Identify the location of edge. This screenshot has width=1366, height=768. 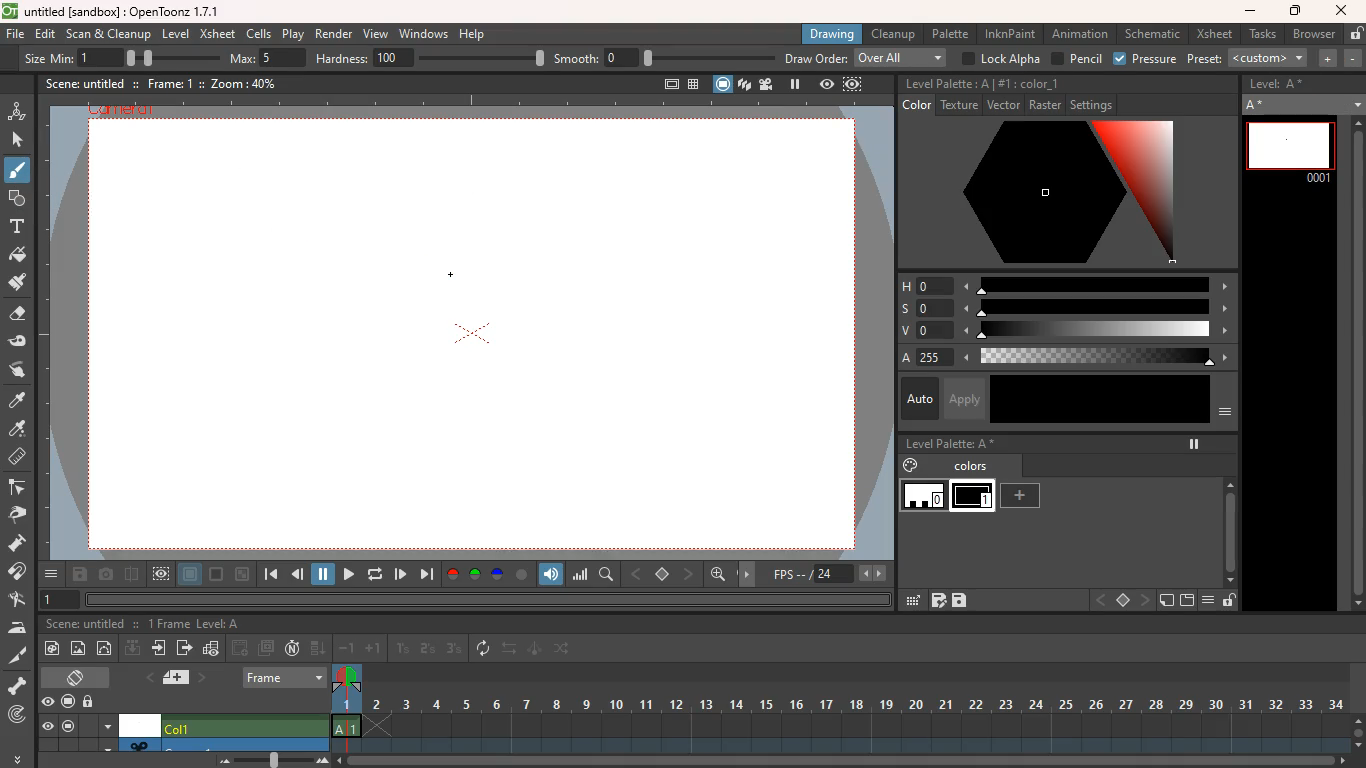
(20, 489).